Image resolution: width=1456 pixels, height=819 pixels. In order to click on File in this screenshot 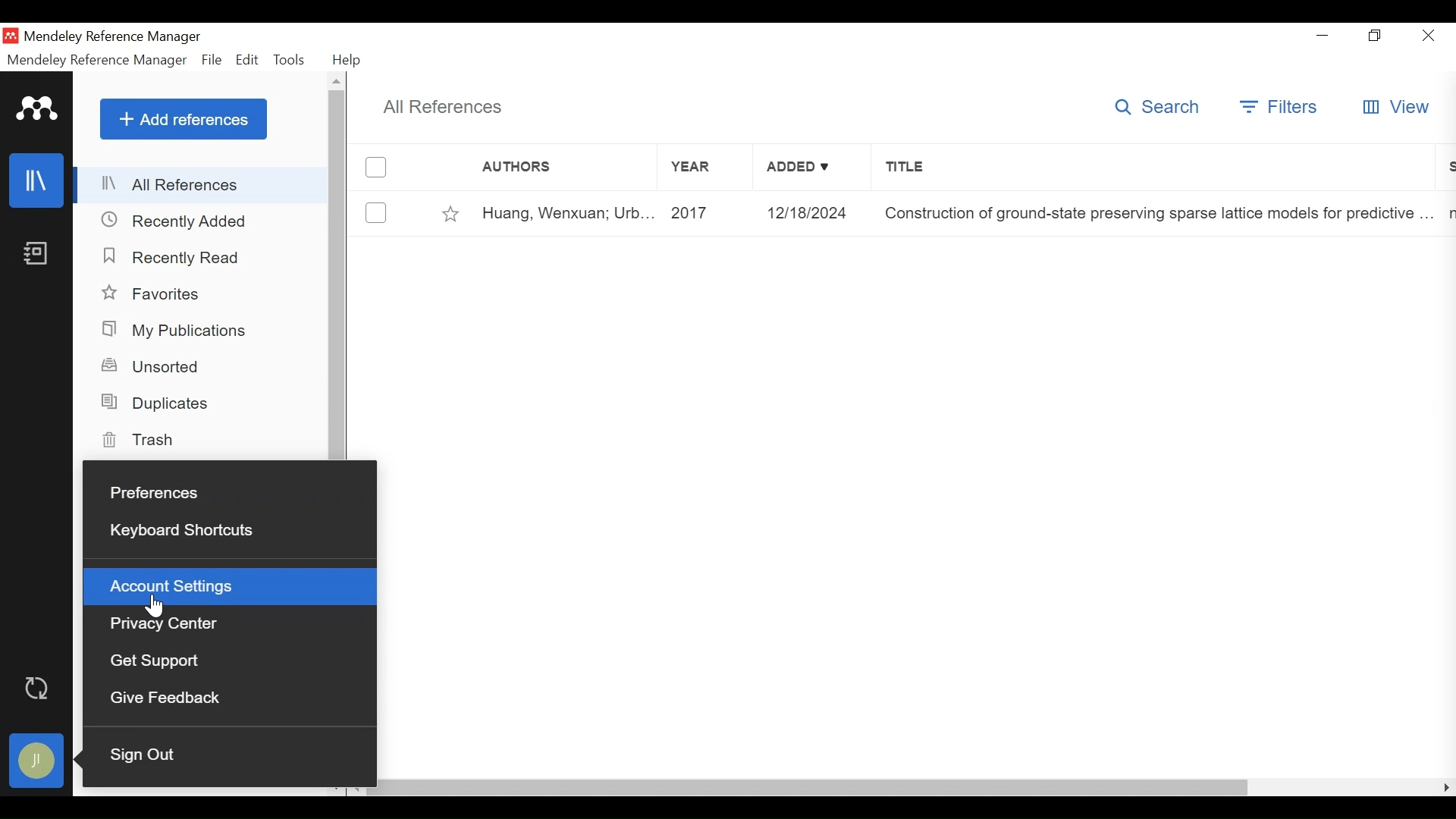, I will do `click(212, 60)`.